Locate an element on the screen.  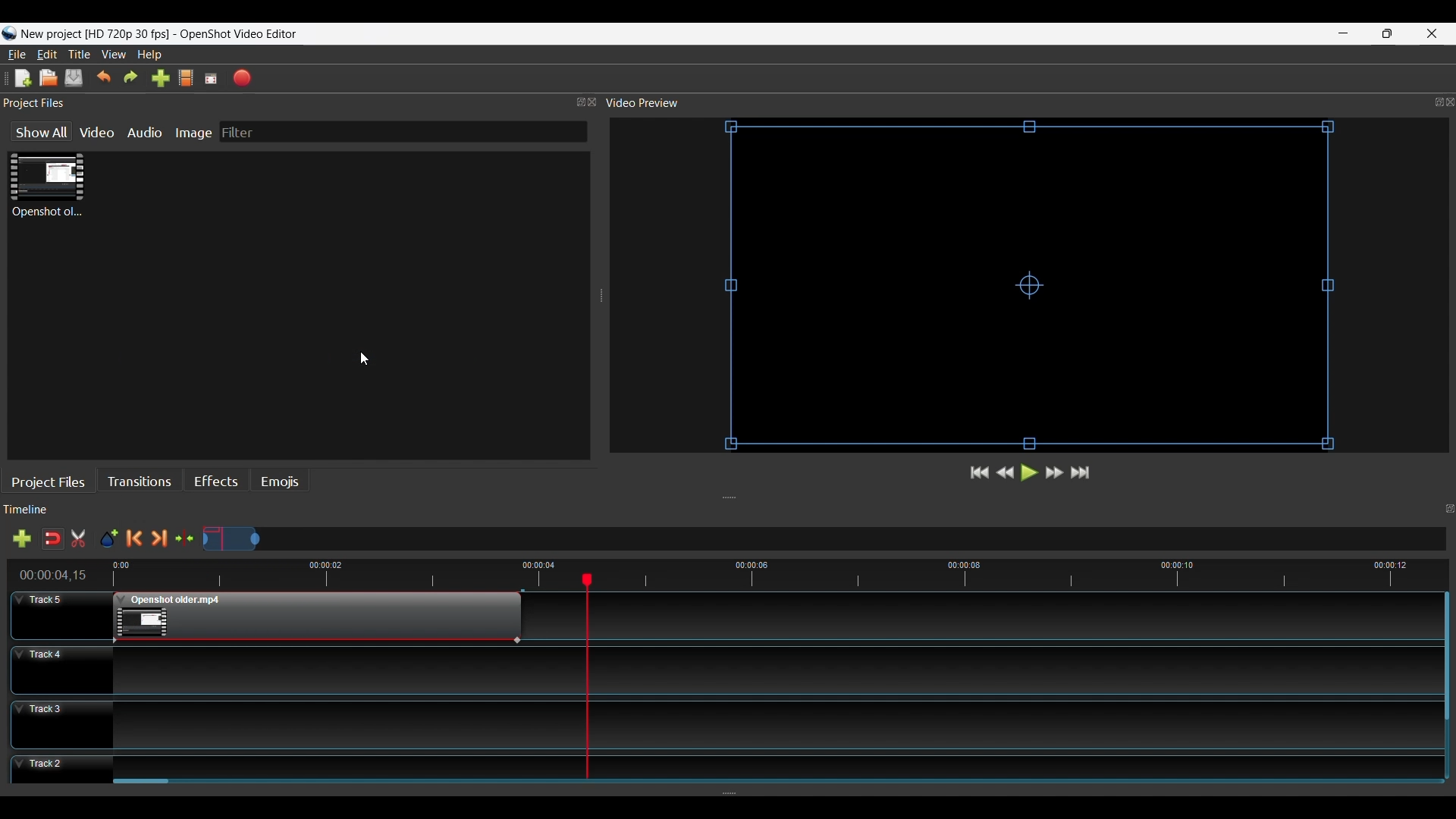
Track Header is located at coordinates (61, 614).